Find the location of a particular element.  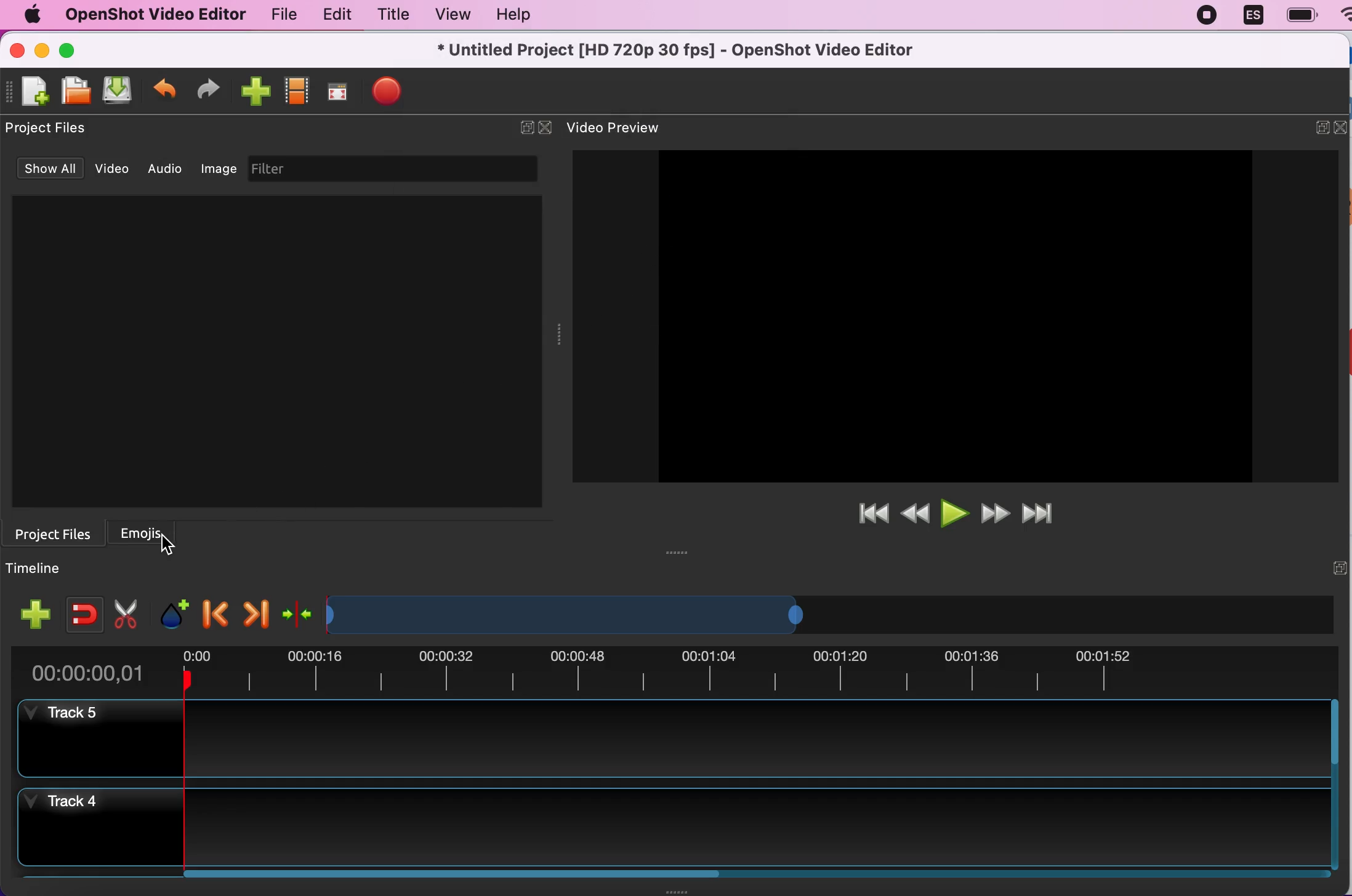

center the timeline is located at coordinates (298, 611).